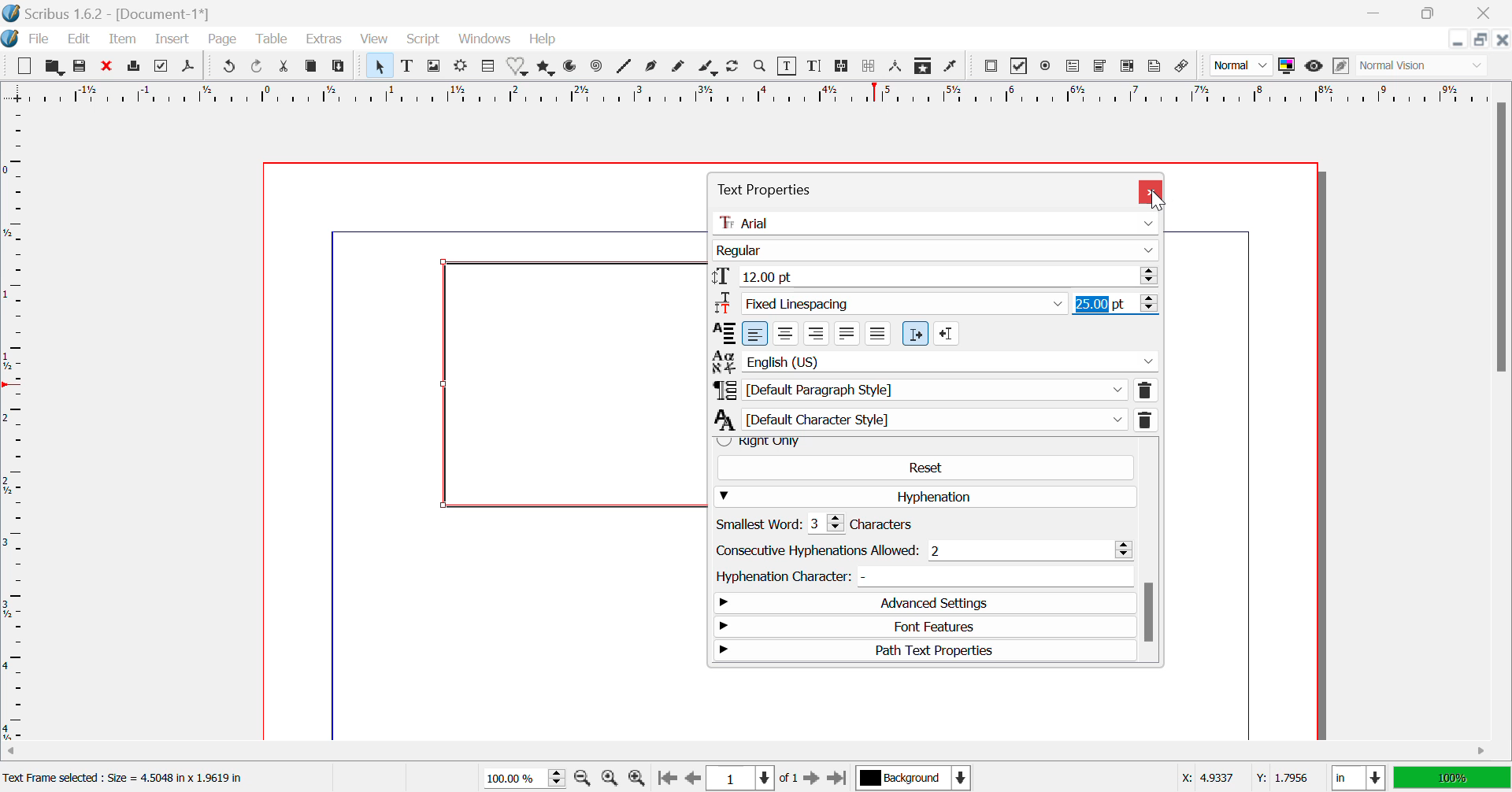  What do you see at coordinates (893, 305) in the screenshot?
I see `FixedLinespacing` at bounding box center [893, 305].